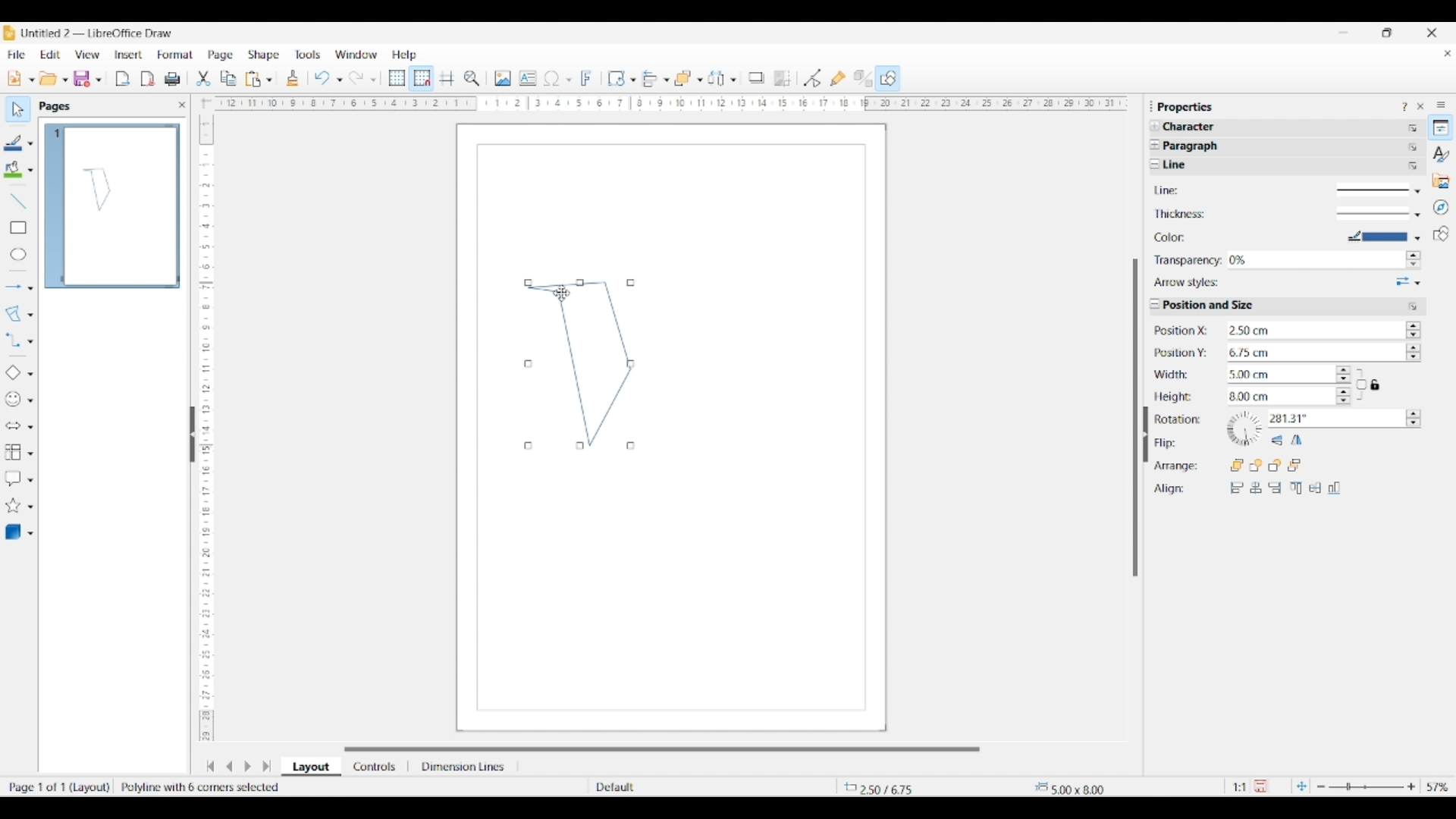 The height and width of the screenshot is (819, 1456). What do you see at coordinates (1413, 128) in the screenshot?
I see `More options` at bounding box center [1413, 128].